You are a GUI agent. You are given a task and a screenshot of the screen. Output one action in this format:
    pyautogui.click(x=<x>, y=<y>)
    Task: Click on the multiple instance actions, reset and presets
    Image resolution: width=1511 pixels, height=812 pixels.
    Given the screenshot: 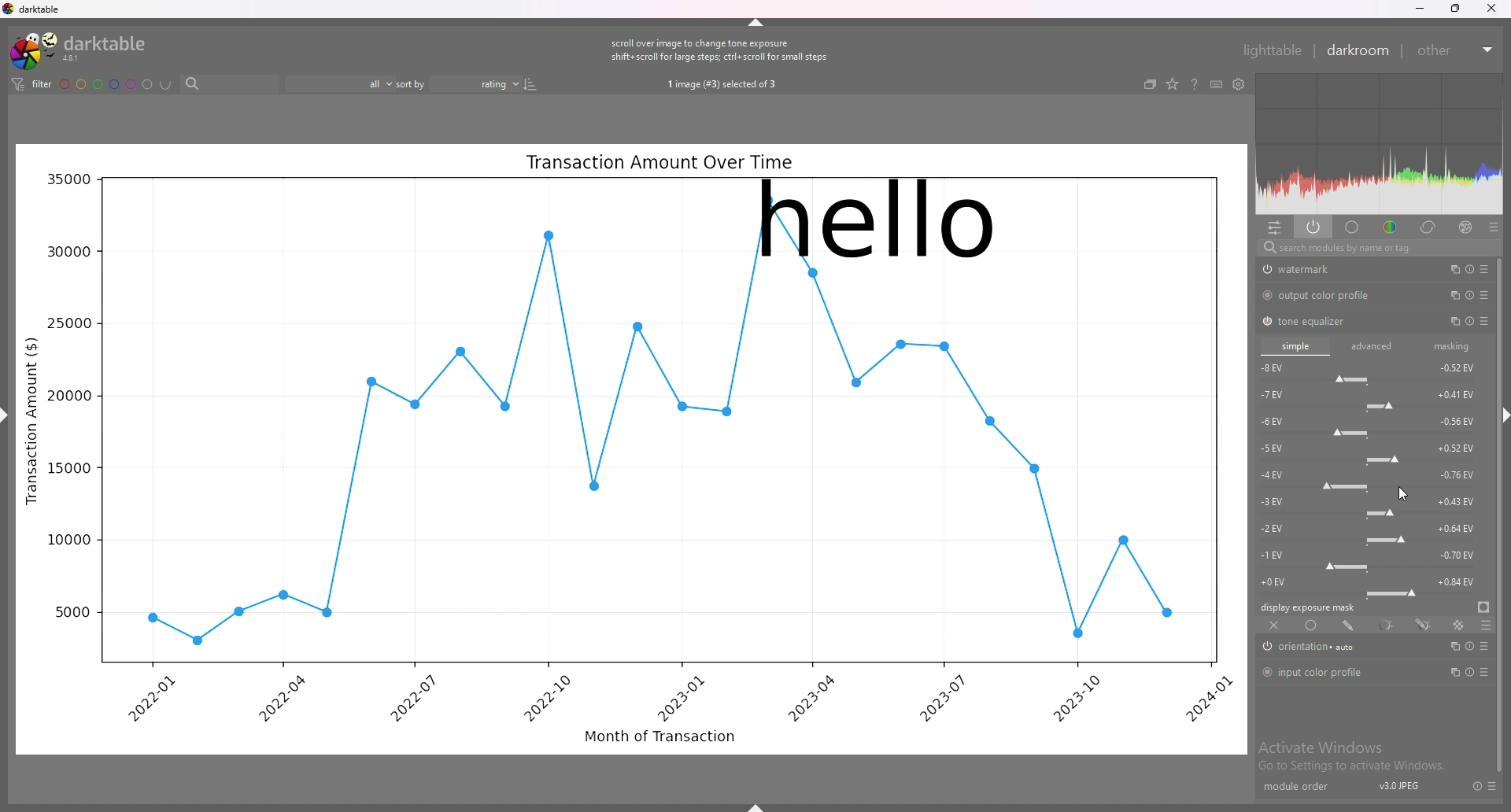 What is the action you would take?
    pyautogui.click(x=1470, y=297)
    